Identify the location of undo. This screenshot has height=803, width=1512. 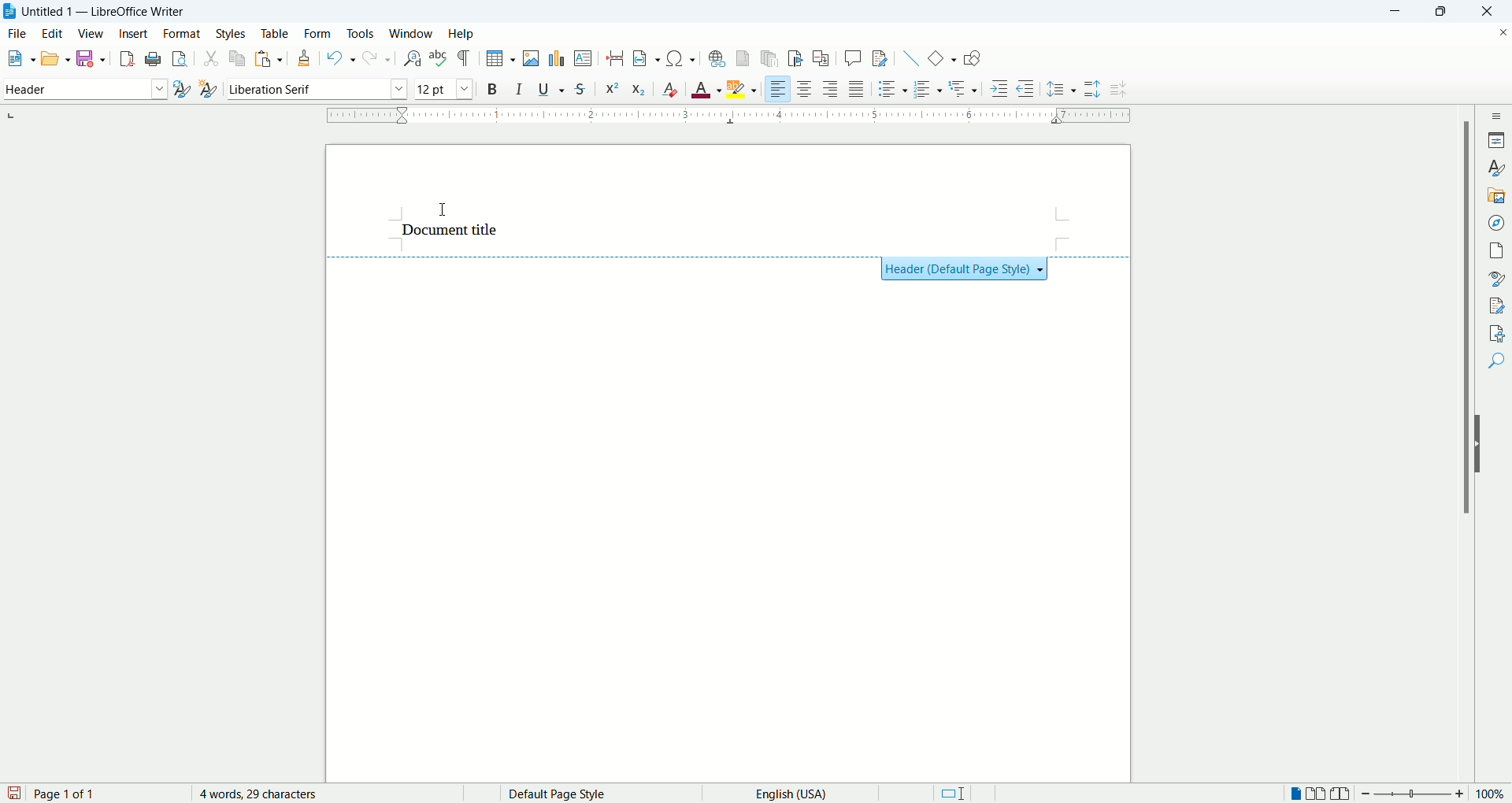
(341, 58).